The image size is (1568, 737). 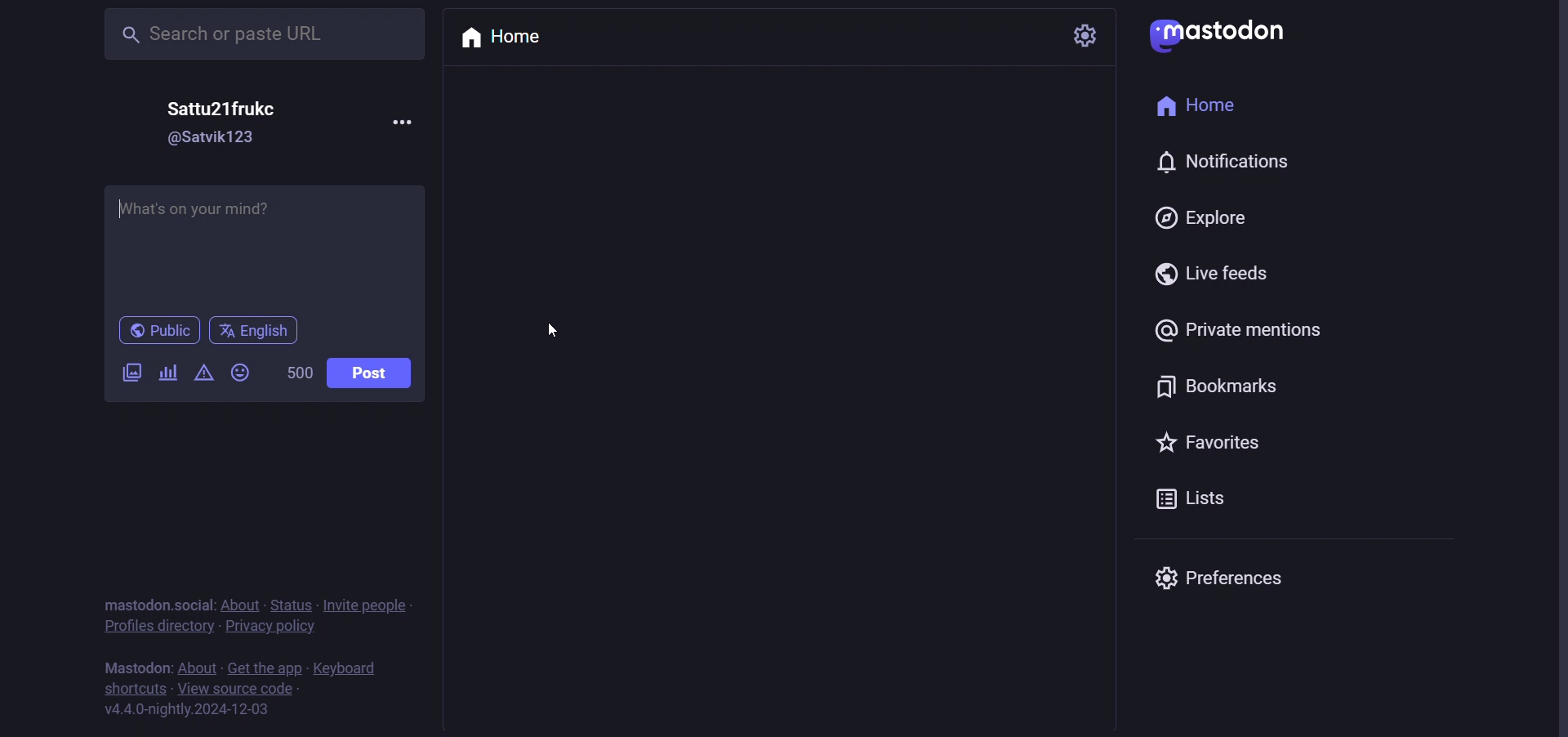 I want to click on english, so click(x=261, y=331).